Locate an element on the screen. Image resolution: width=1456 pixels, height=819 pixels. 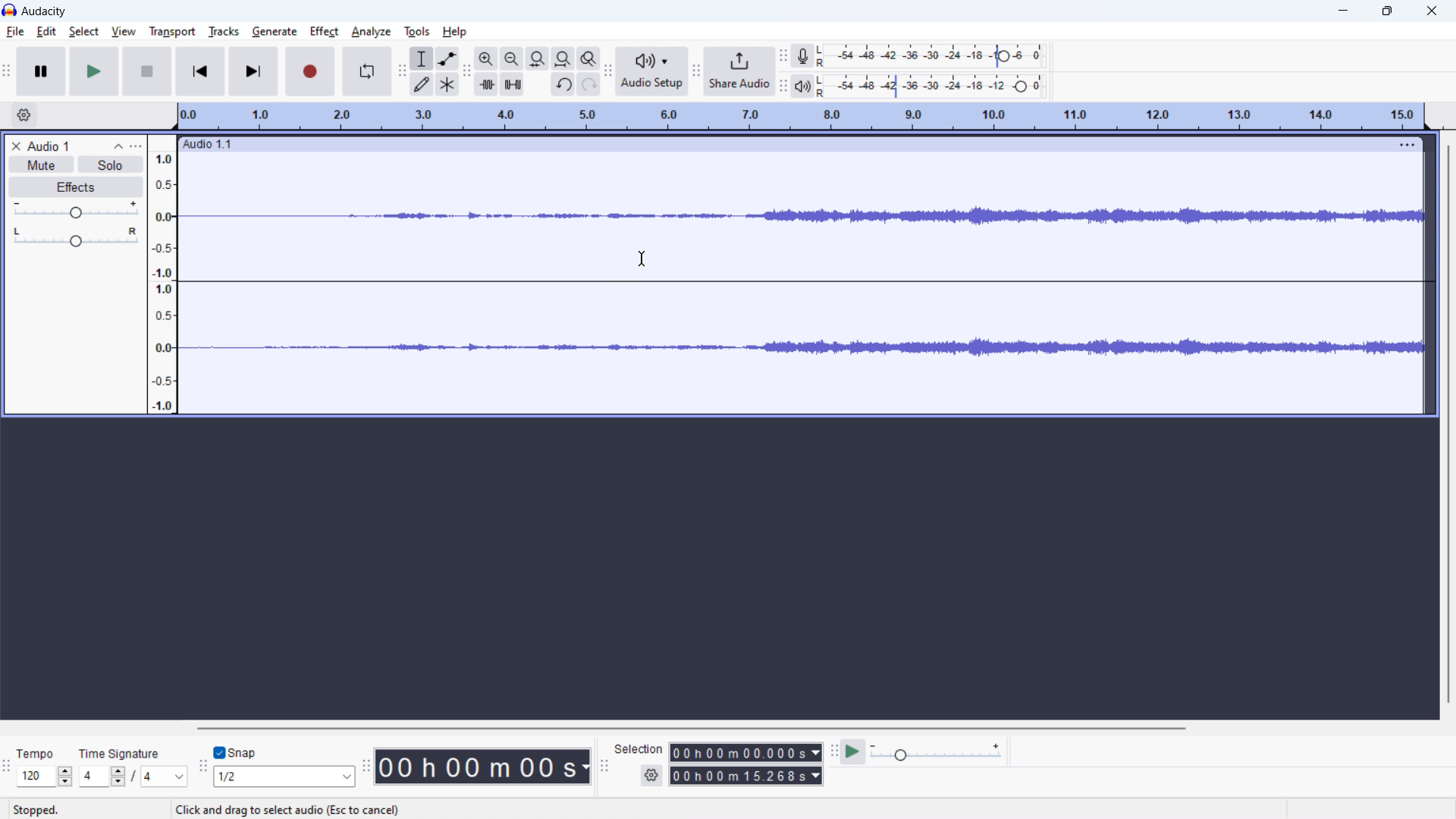
stop is located at coordinates (148, 71).